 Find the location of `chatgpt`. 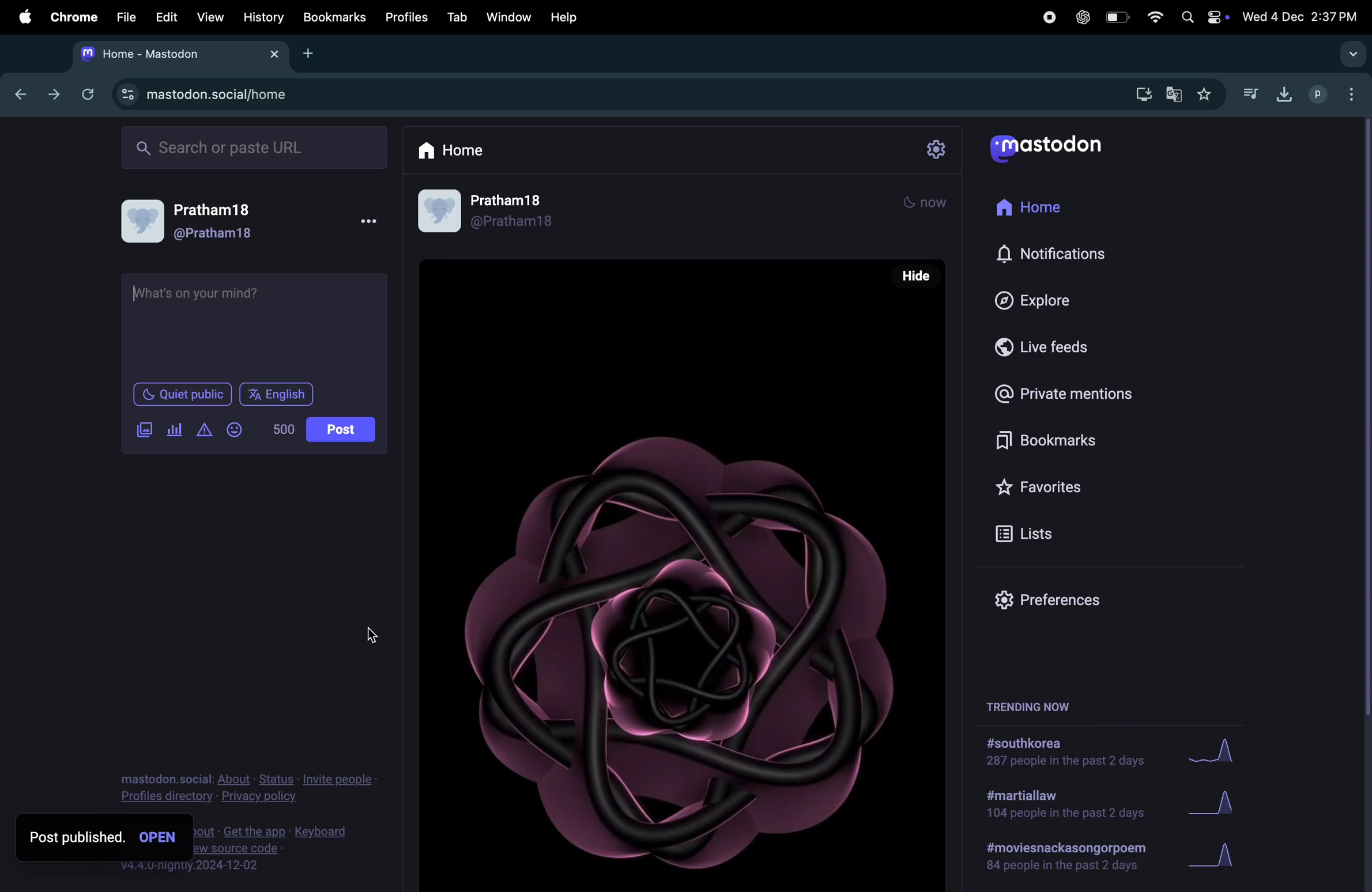

chatgpt is located at coordinates (1081, 17).